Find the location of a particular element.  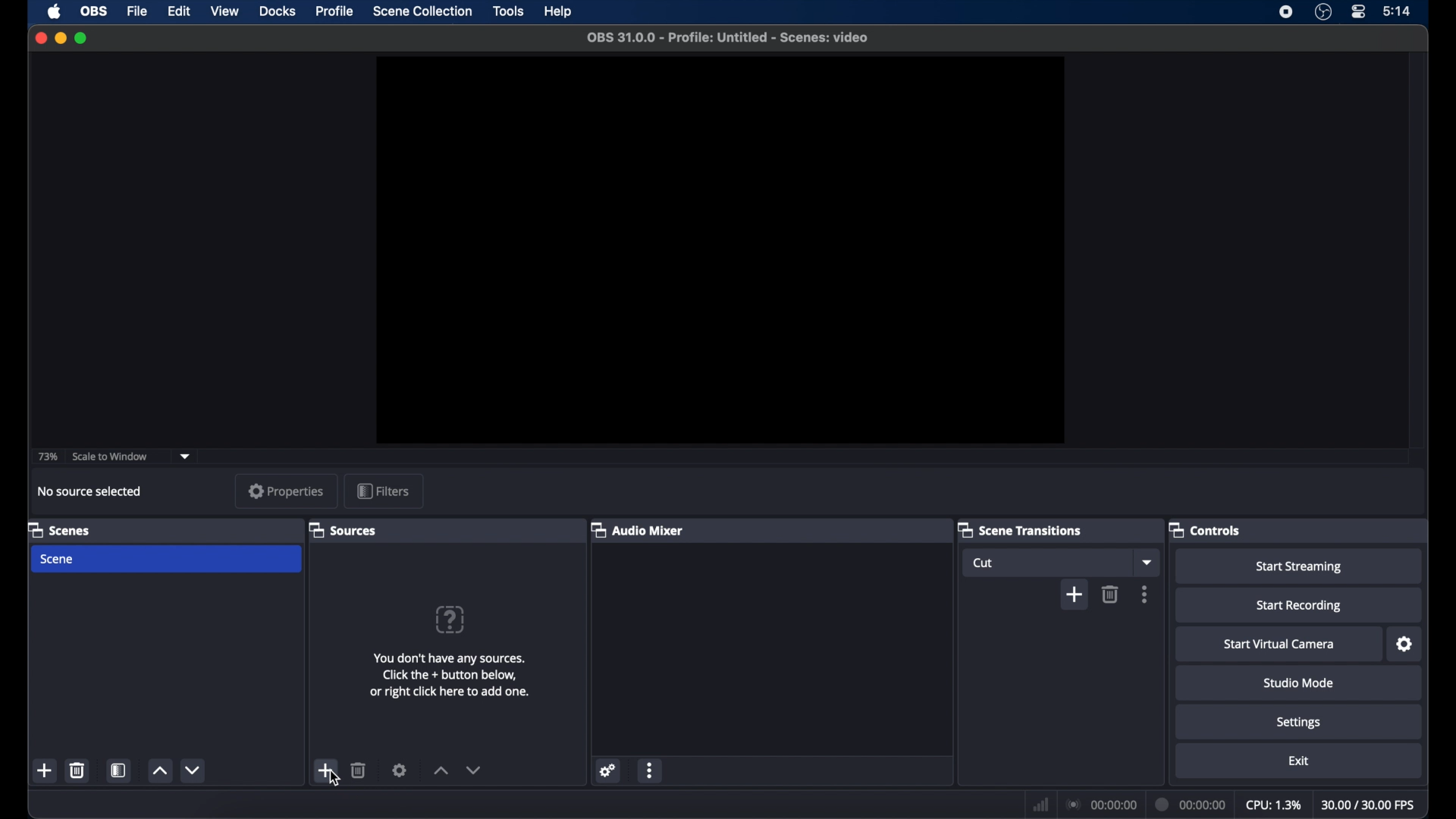

properties is located at coordinates (287, 492).